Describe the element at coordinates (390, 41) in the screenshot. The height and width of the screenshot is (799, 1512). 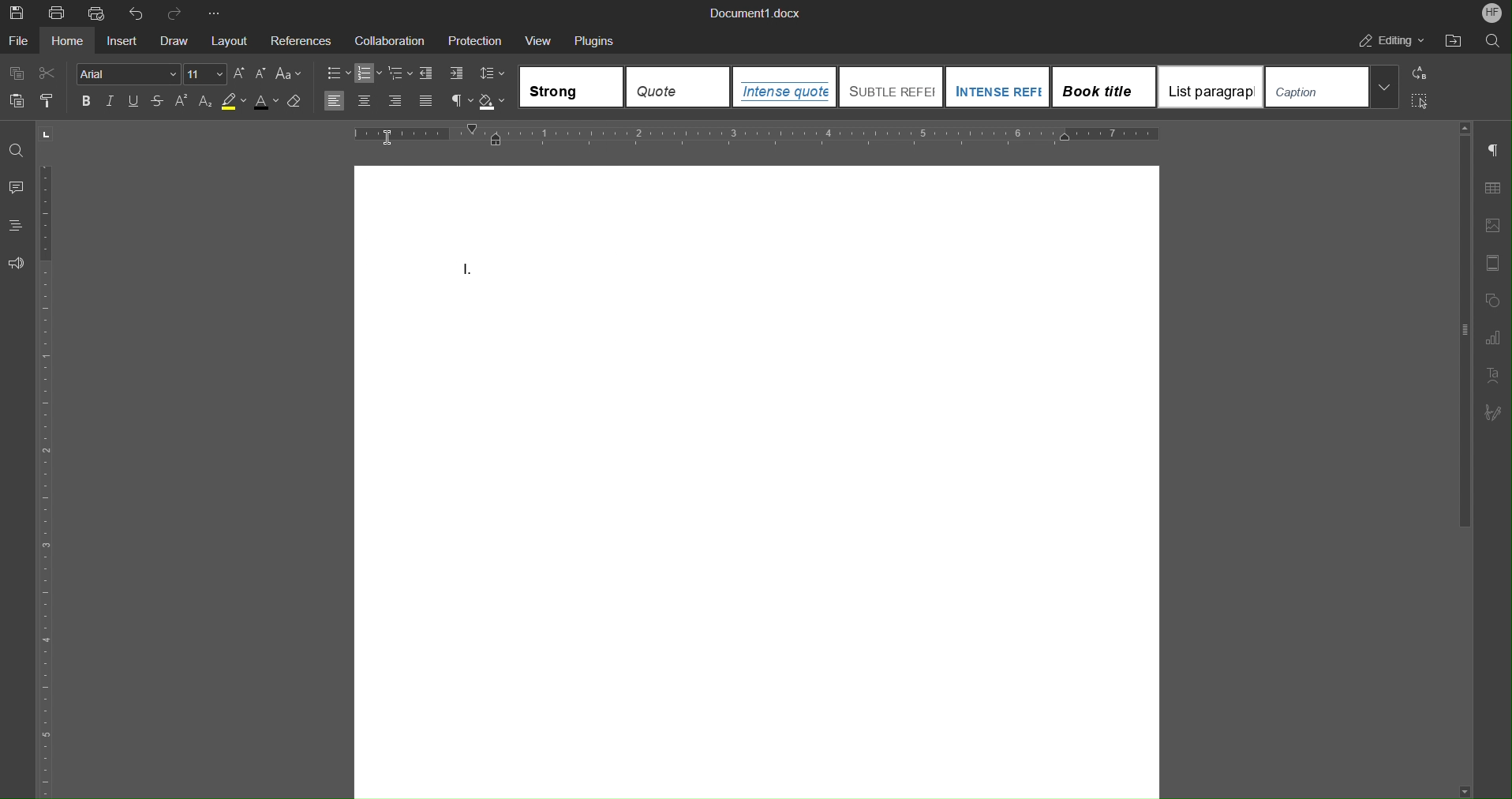
I see `Collaboration` at that location.